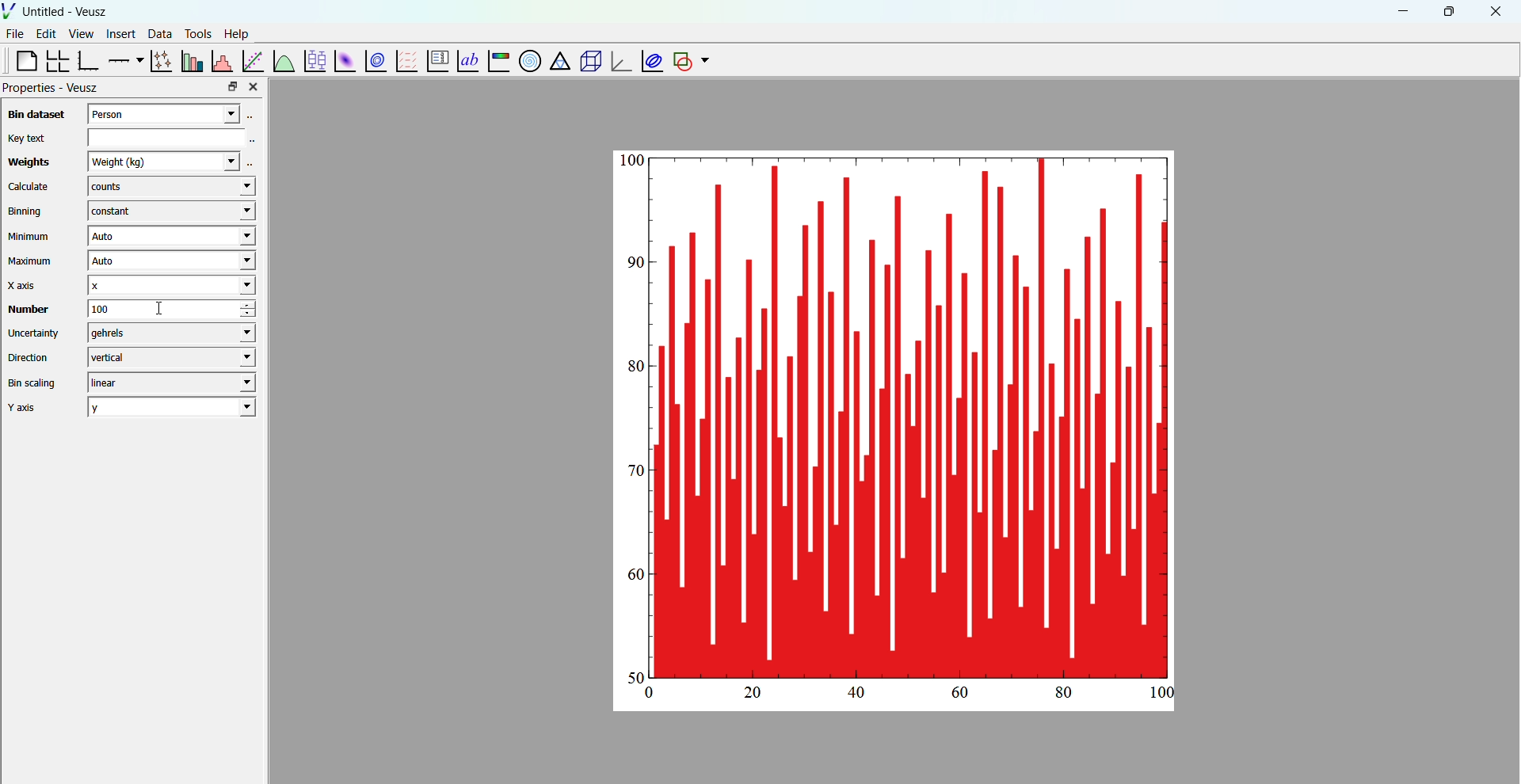  Describe the element at coordinates (233, 87) in the screenshot. I see `maximize property bar` at that location.